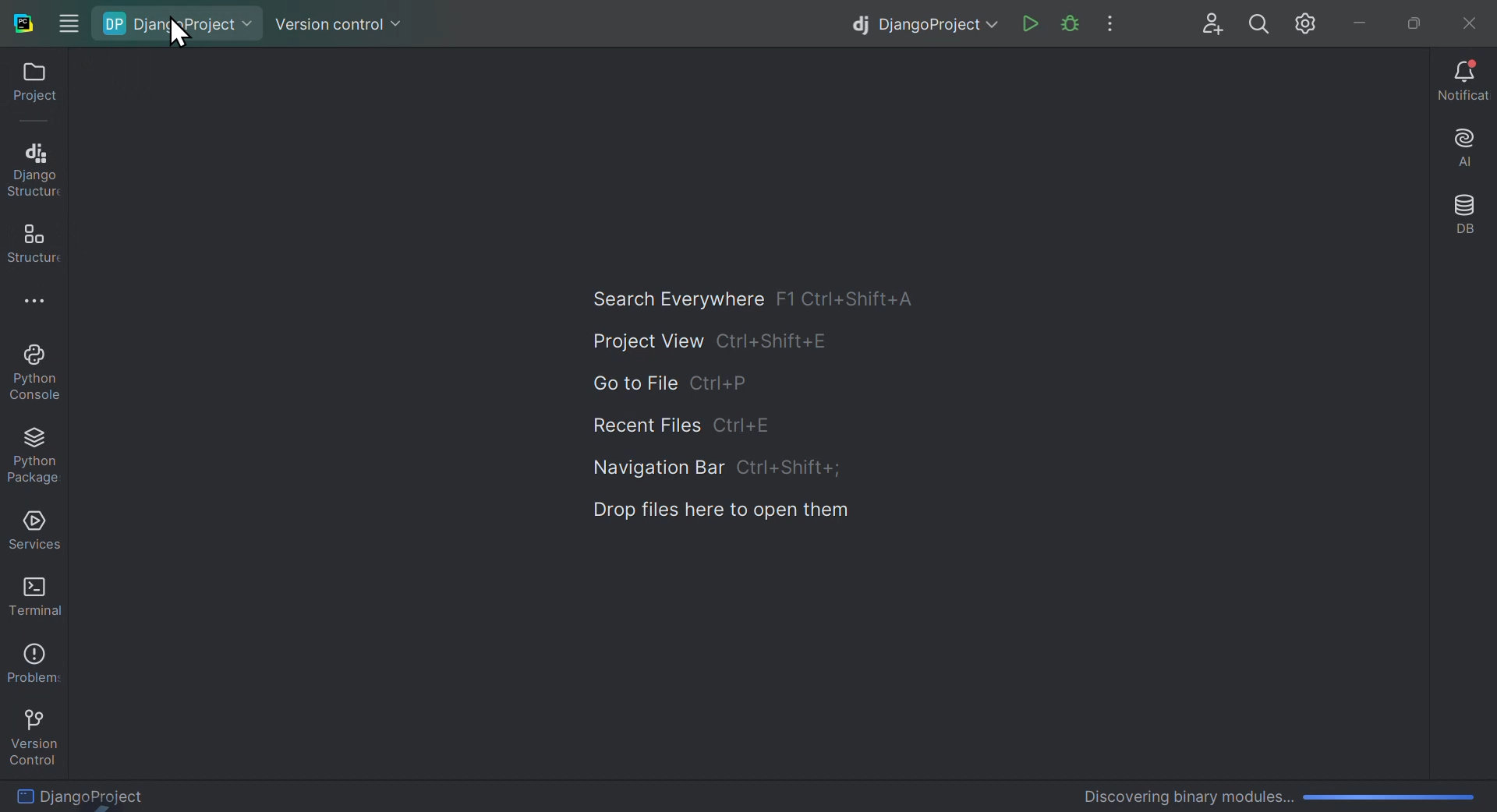 This screenshot has height=812, width=1497. I want to click on Run file, so click(1031, 25).